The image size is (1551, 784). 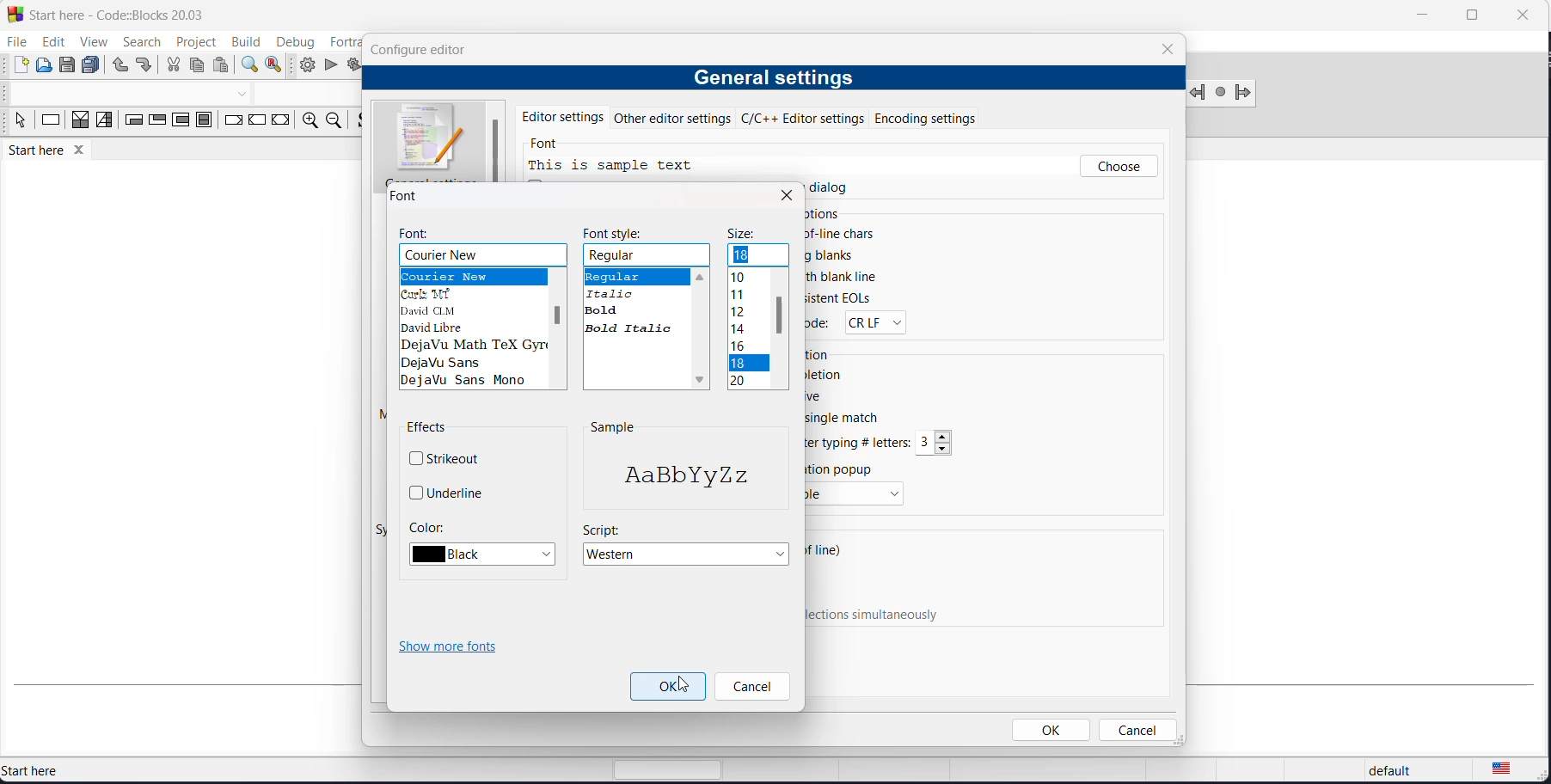 I want to click on cancel, so click(x=751, y=688).